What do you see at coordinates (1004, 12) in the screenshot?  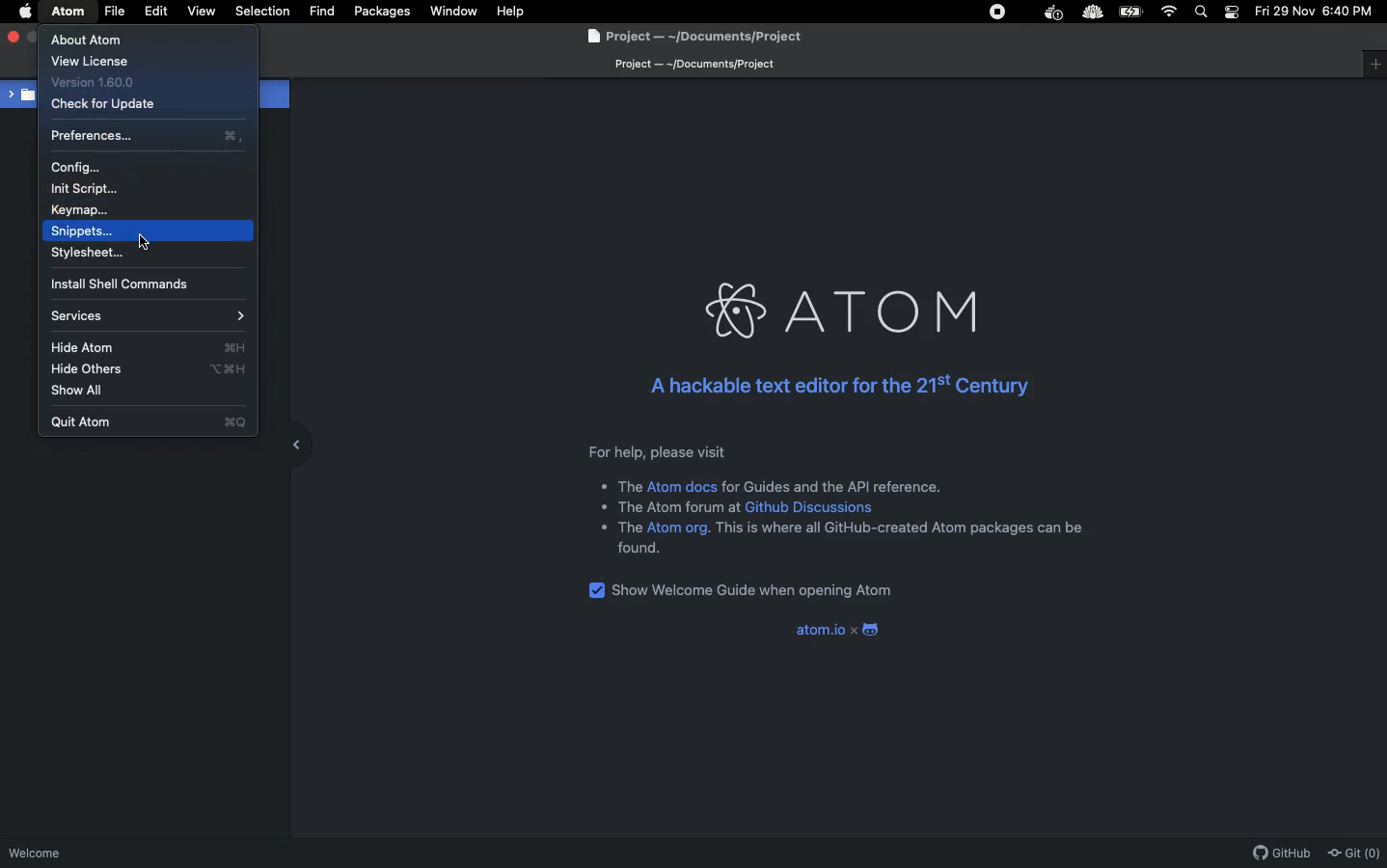 I see `Extensions` at bounding box center [1004, 12].